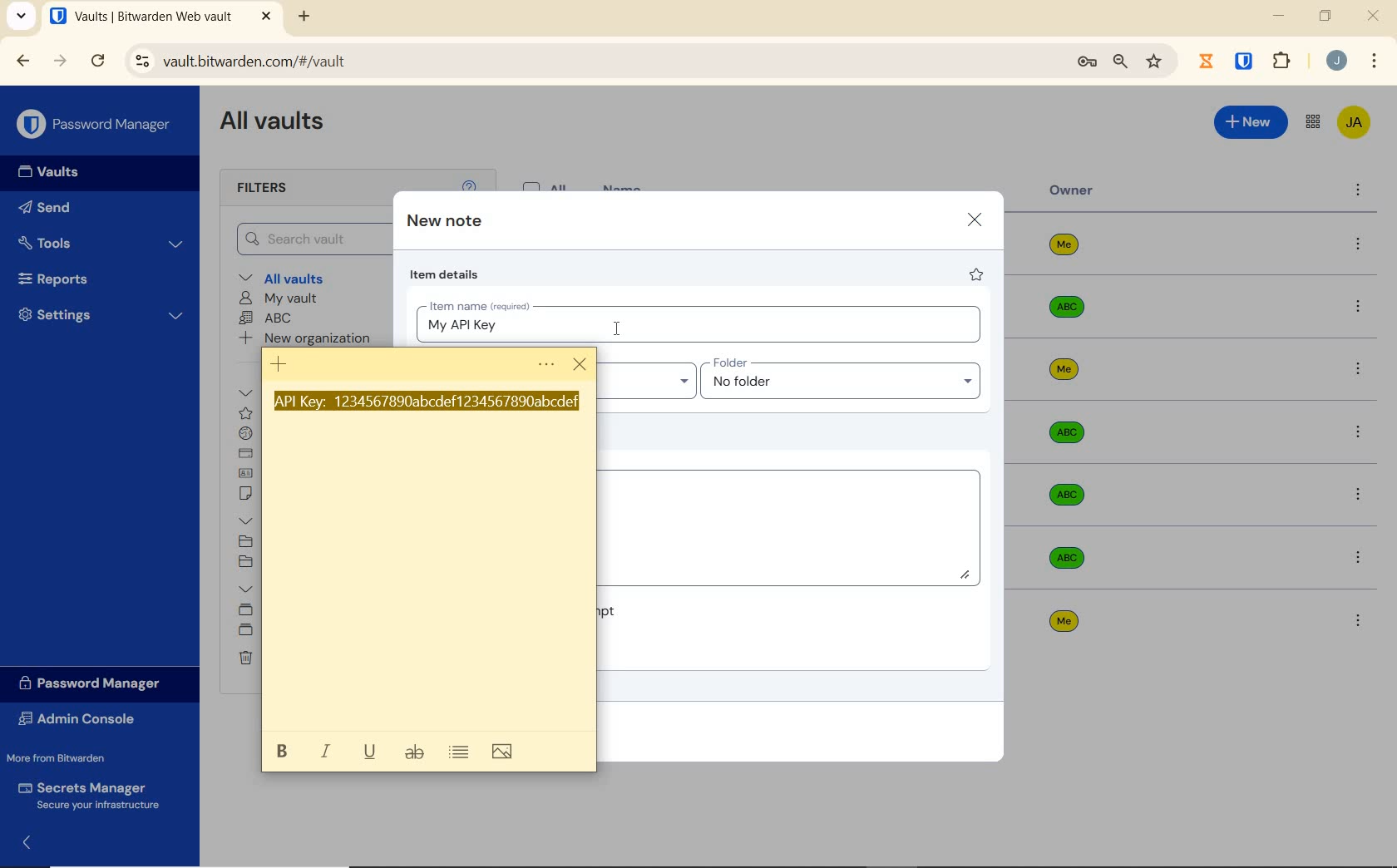  I want to click on New organization, so click(310, 338).